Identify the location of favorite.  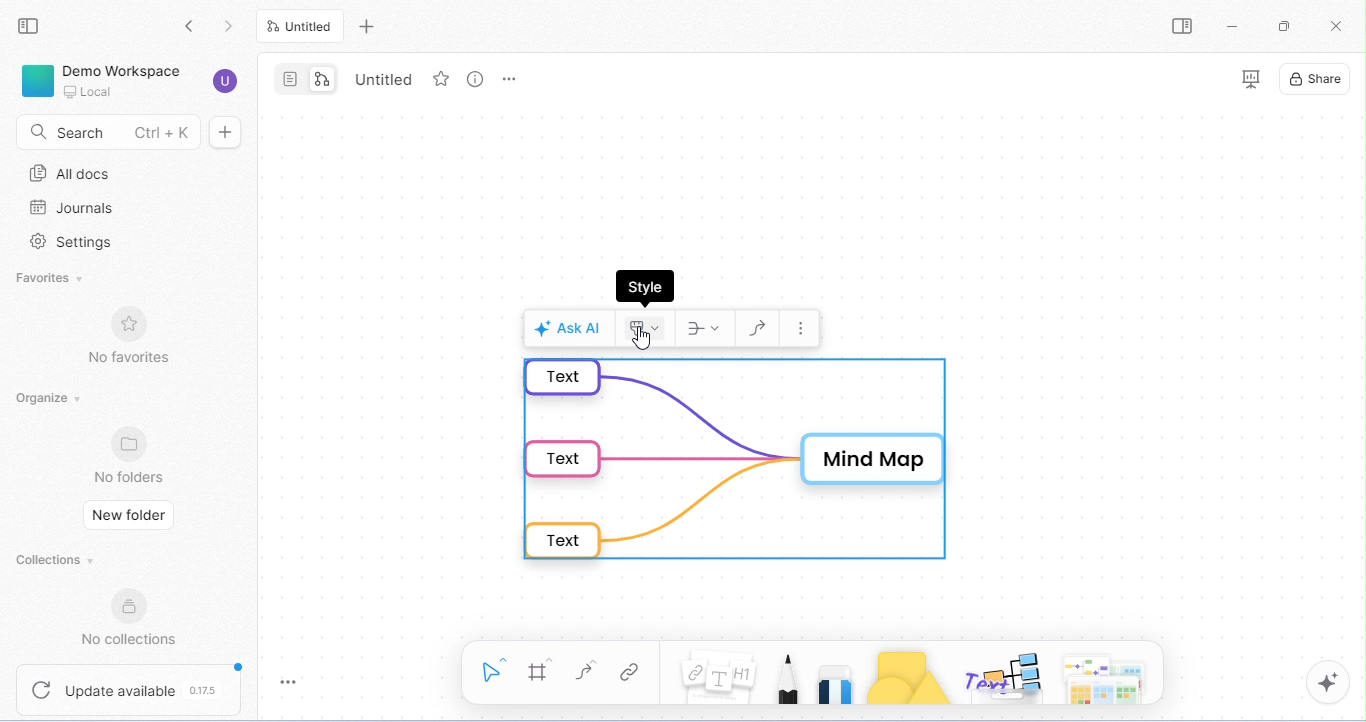
(444, 79).